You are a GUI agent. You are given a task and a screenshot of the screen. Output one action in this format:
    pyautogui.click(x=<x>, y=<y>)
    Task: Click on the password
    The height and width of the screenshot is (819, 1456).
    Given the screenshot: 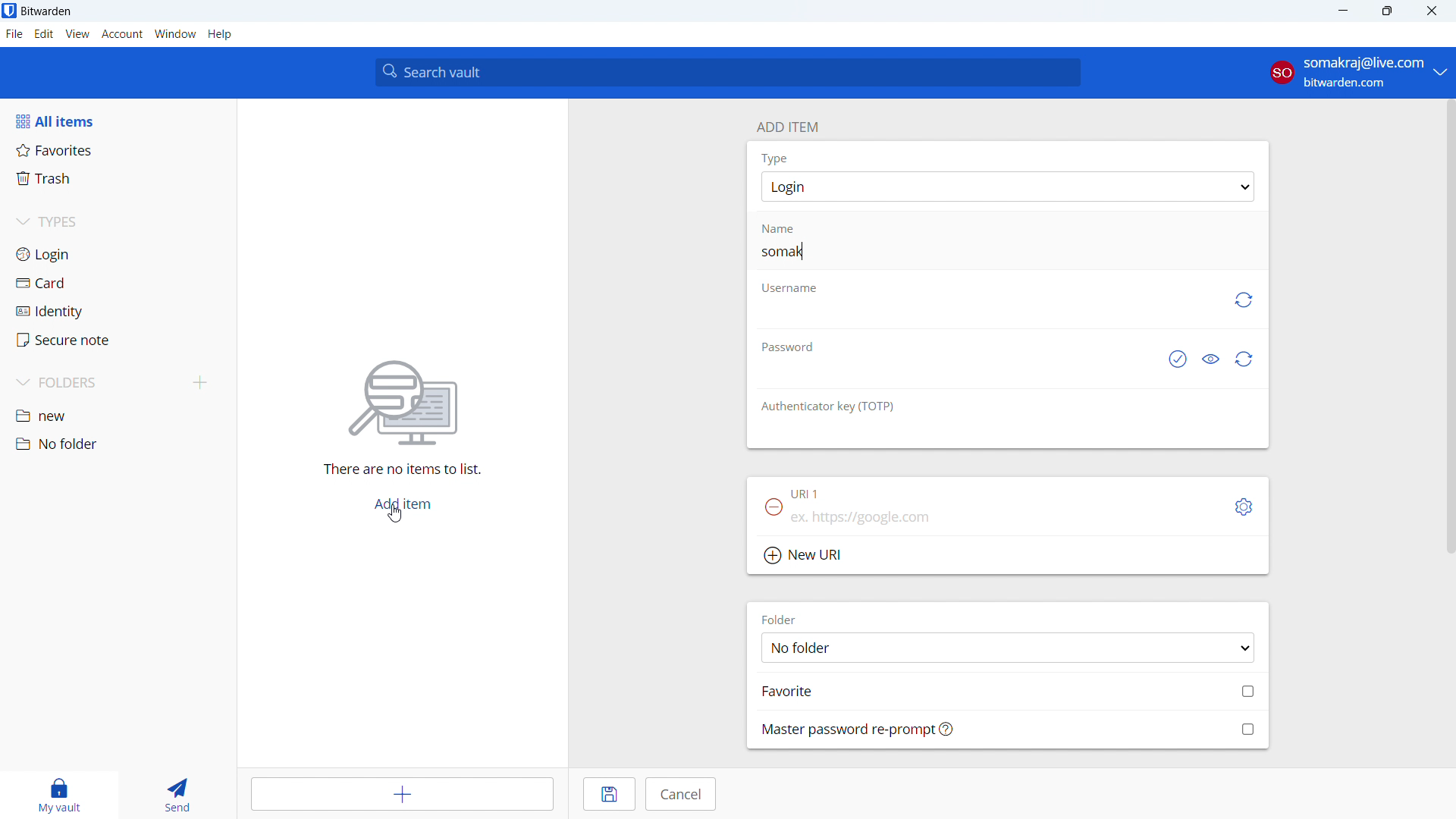 What is the action you would take?
    pyautogui.click(x=786, y=345)
    